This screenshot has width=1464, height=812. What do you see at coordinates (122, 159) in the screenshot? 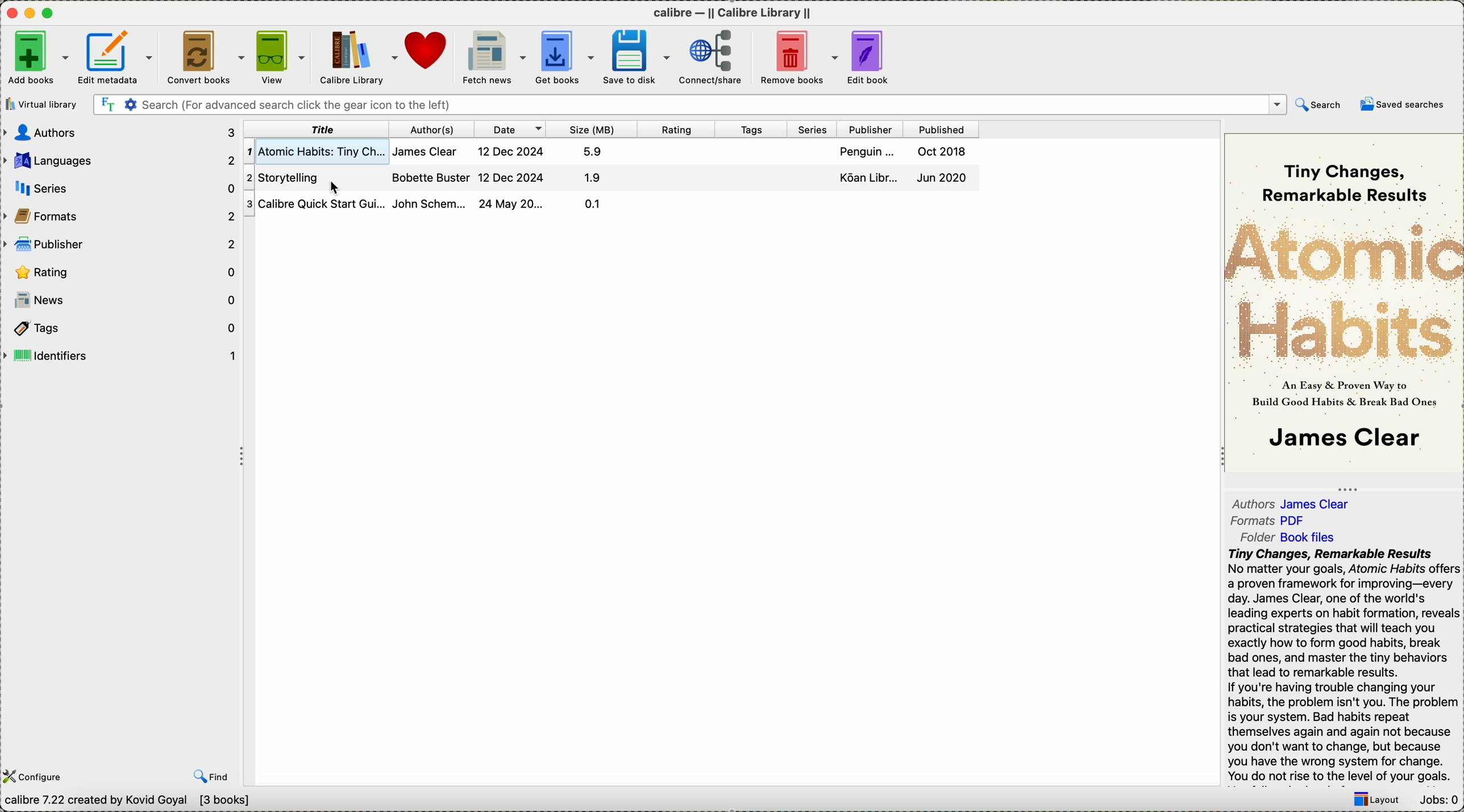
I see `languages` at bounding box center [122, 159].